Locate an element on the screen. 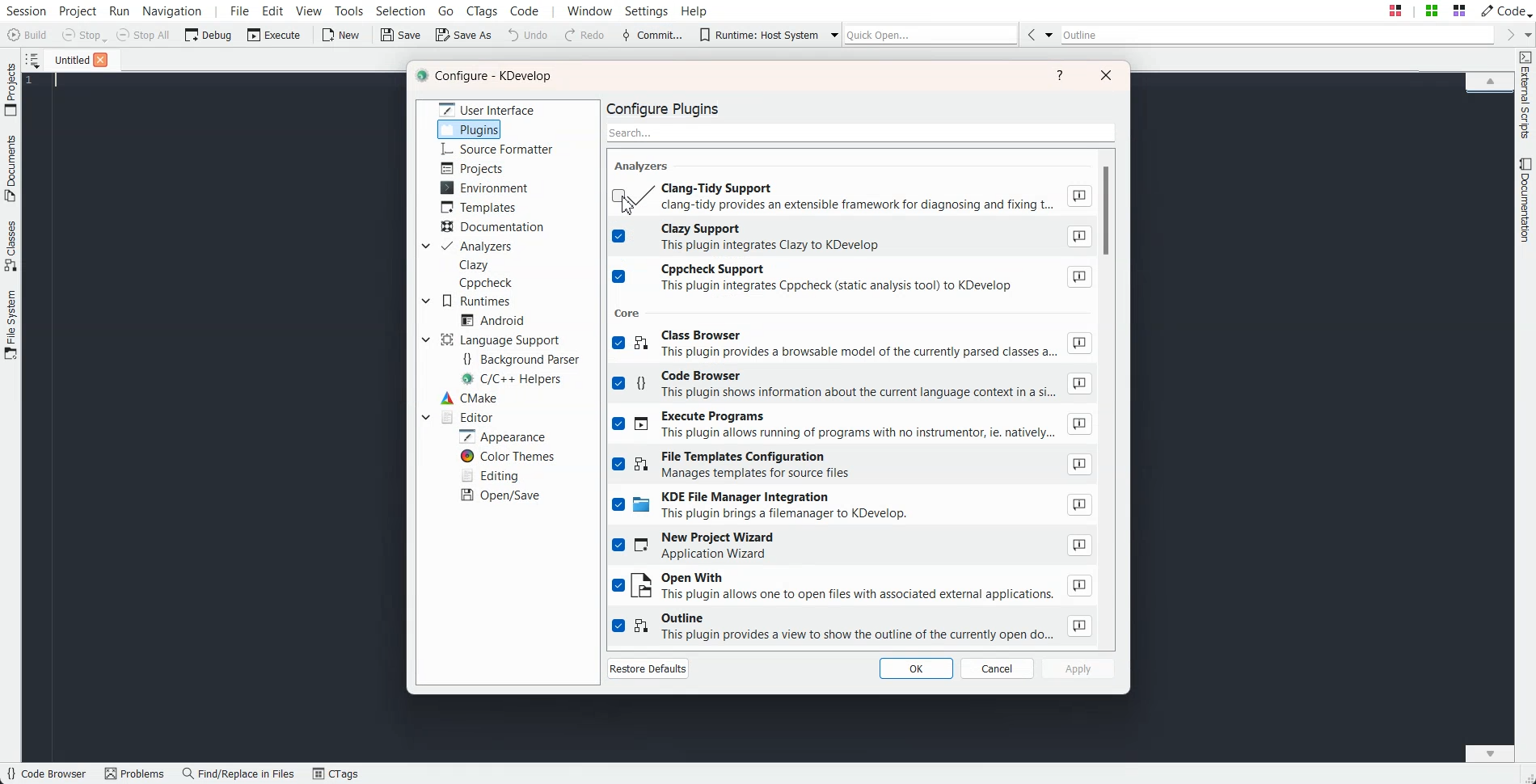 The height and width of the screenshot is (784, 1536). Enable Outline is located at coordinates (853, 627).